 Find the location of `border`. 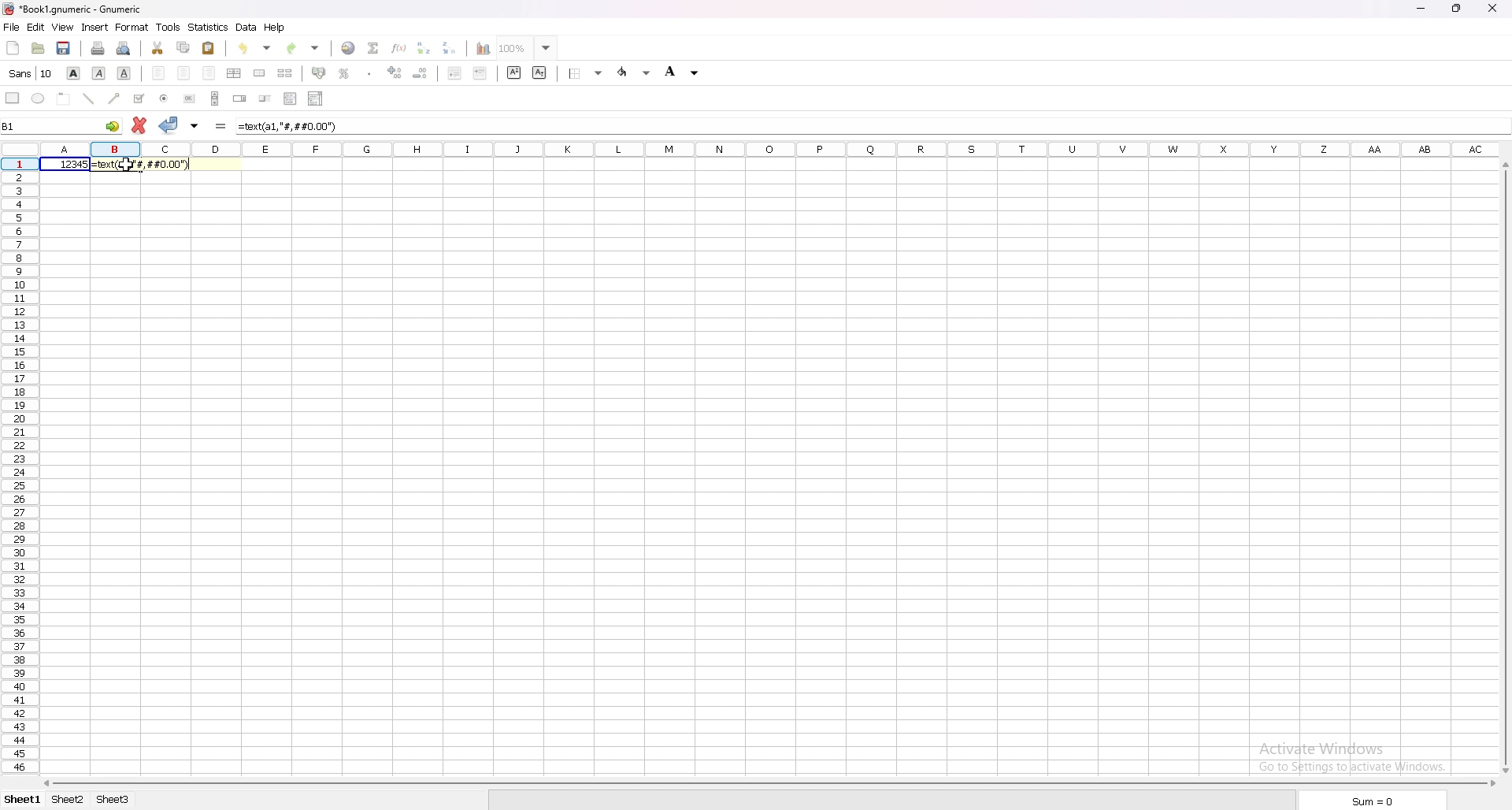

border is located at coordinates (586, 73).